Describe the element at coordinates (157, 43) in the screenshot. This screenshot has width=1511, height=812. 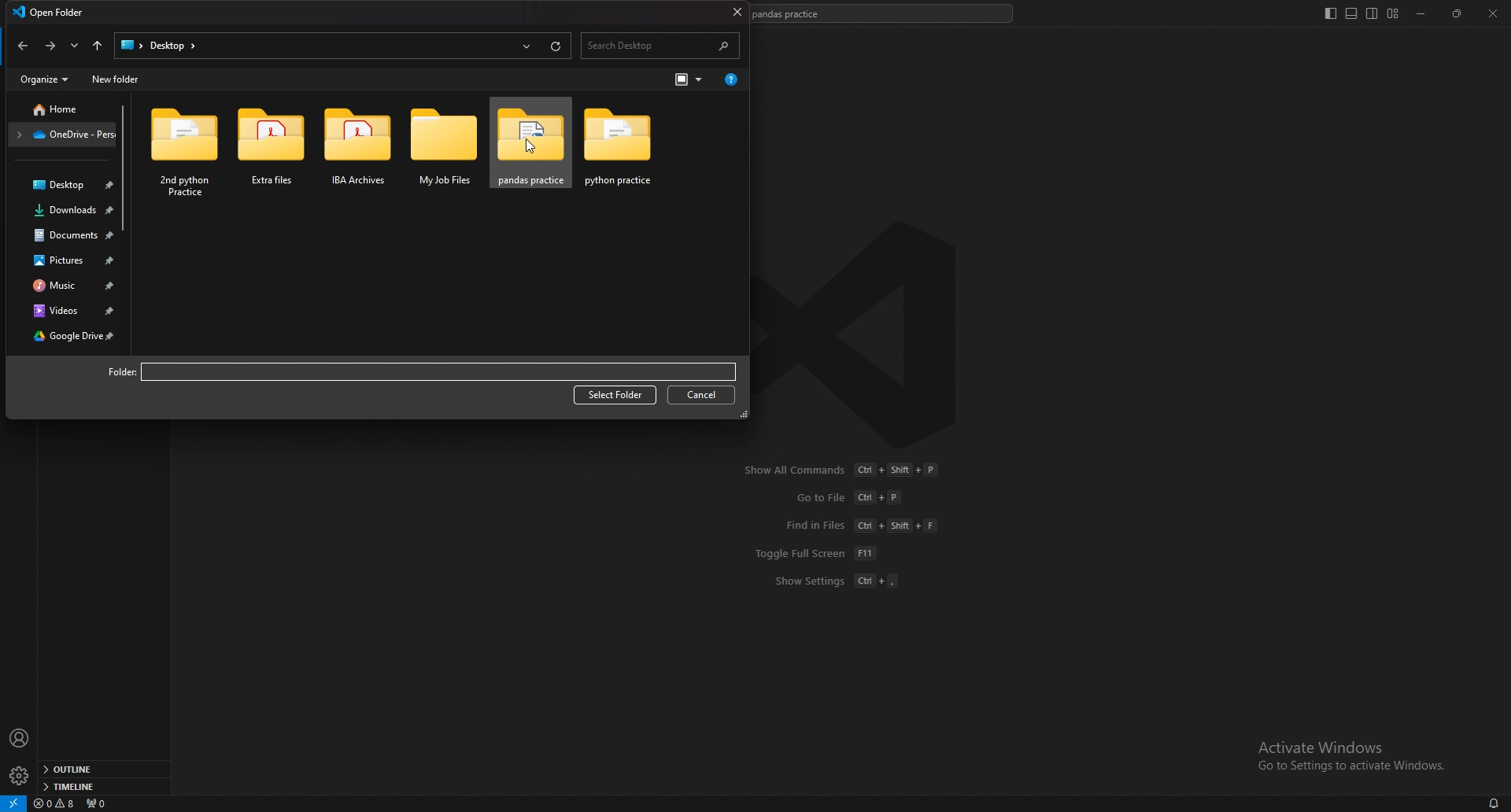
I see `desktop` at that location.